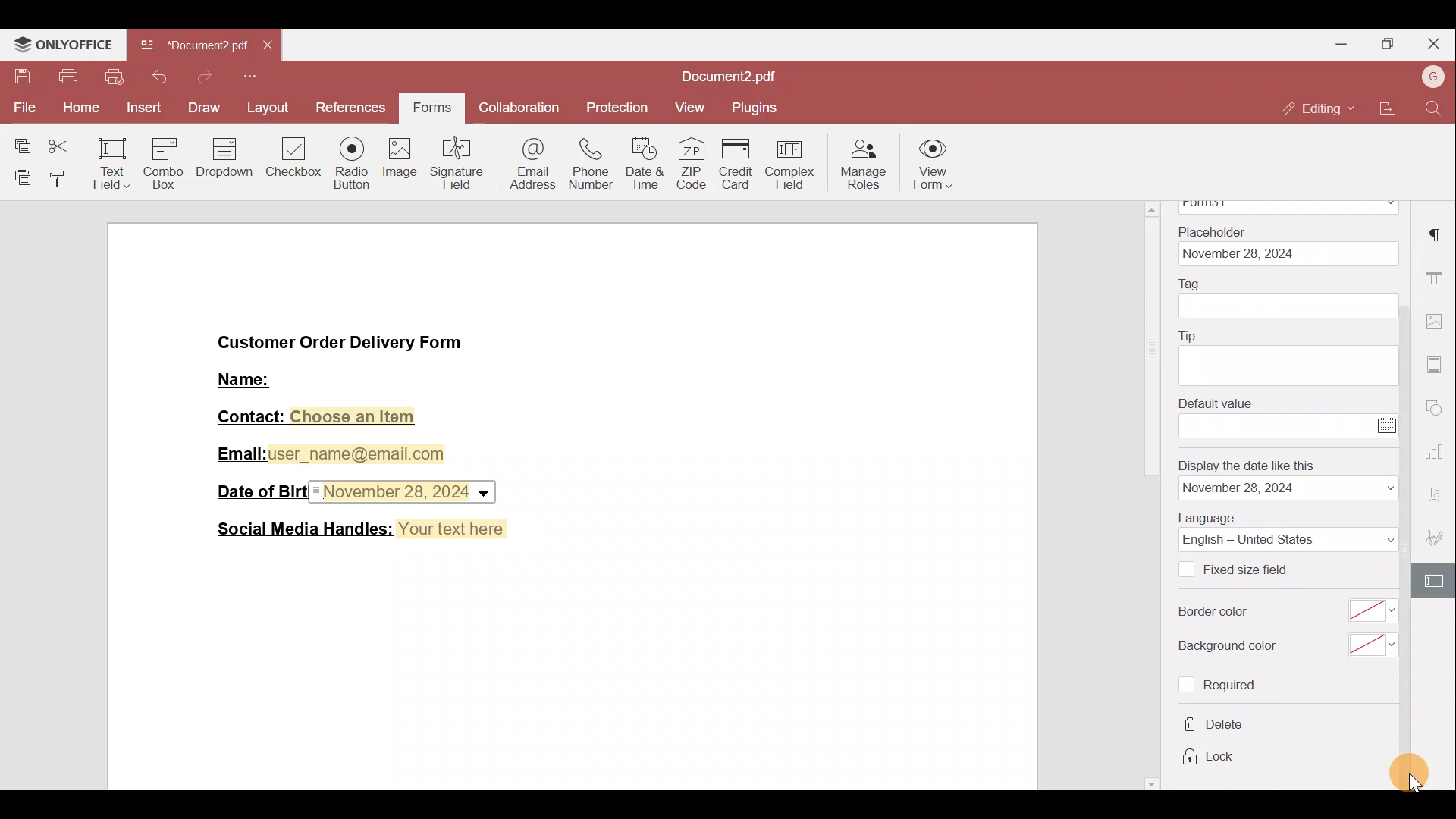 This screenshot has width=1456, height=819. What do you see at coordinates (1432, 76) in the screenshot?
I see `Account name` at bounding box center [1432, 76].